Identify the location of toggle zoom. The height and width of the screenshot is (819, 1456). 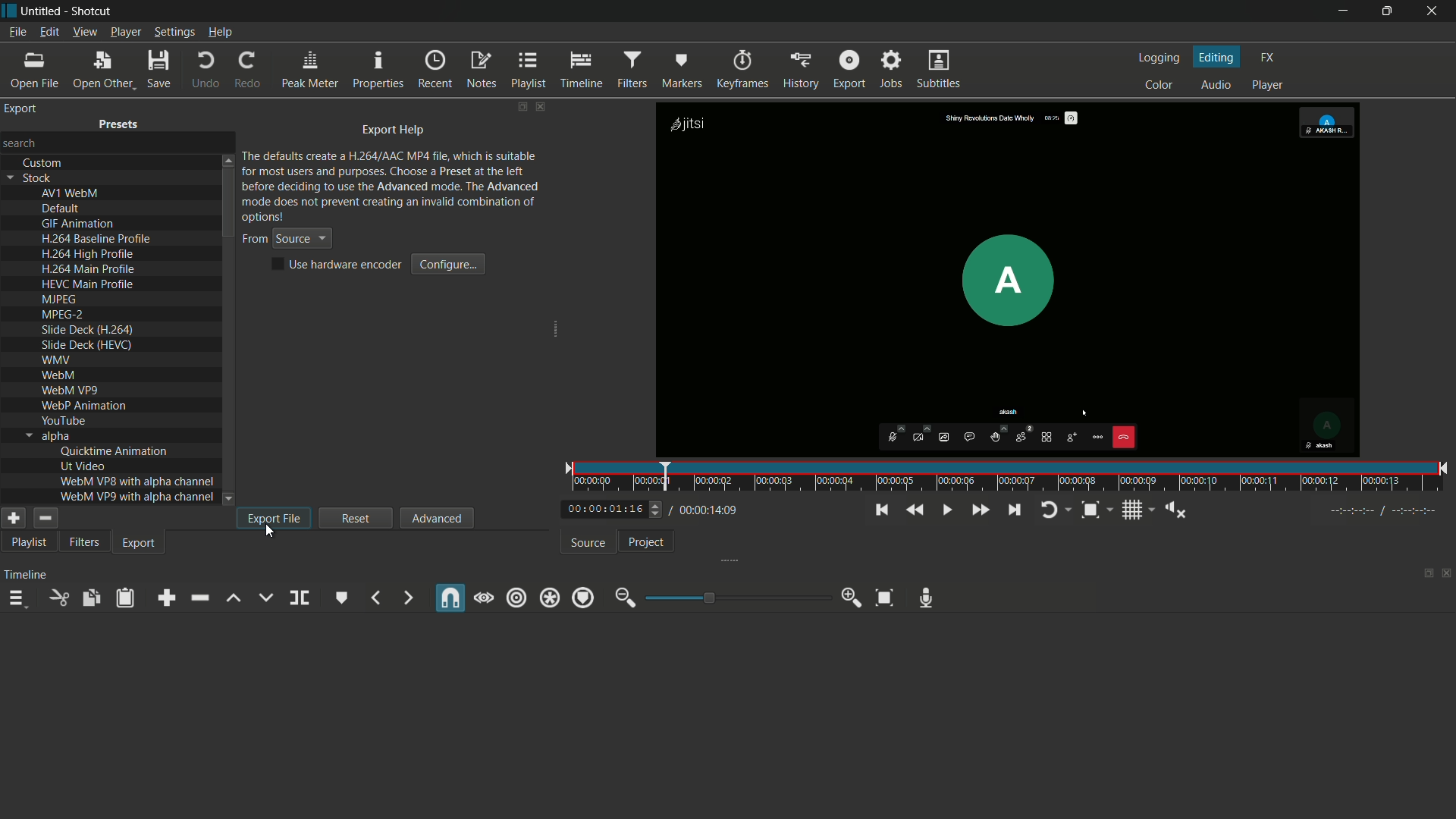
(1090, 510).